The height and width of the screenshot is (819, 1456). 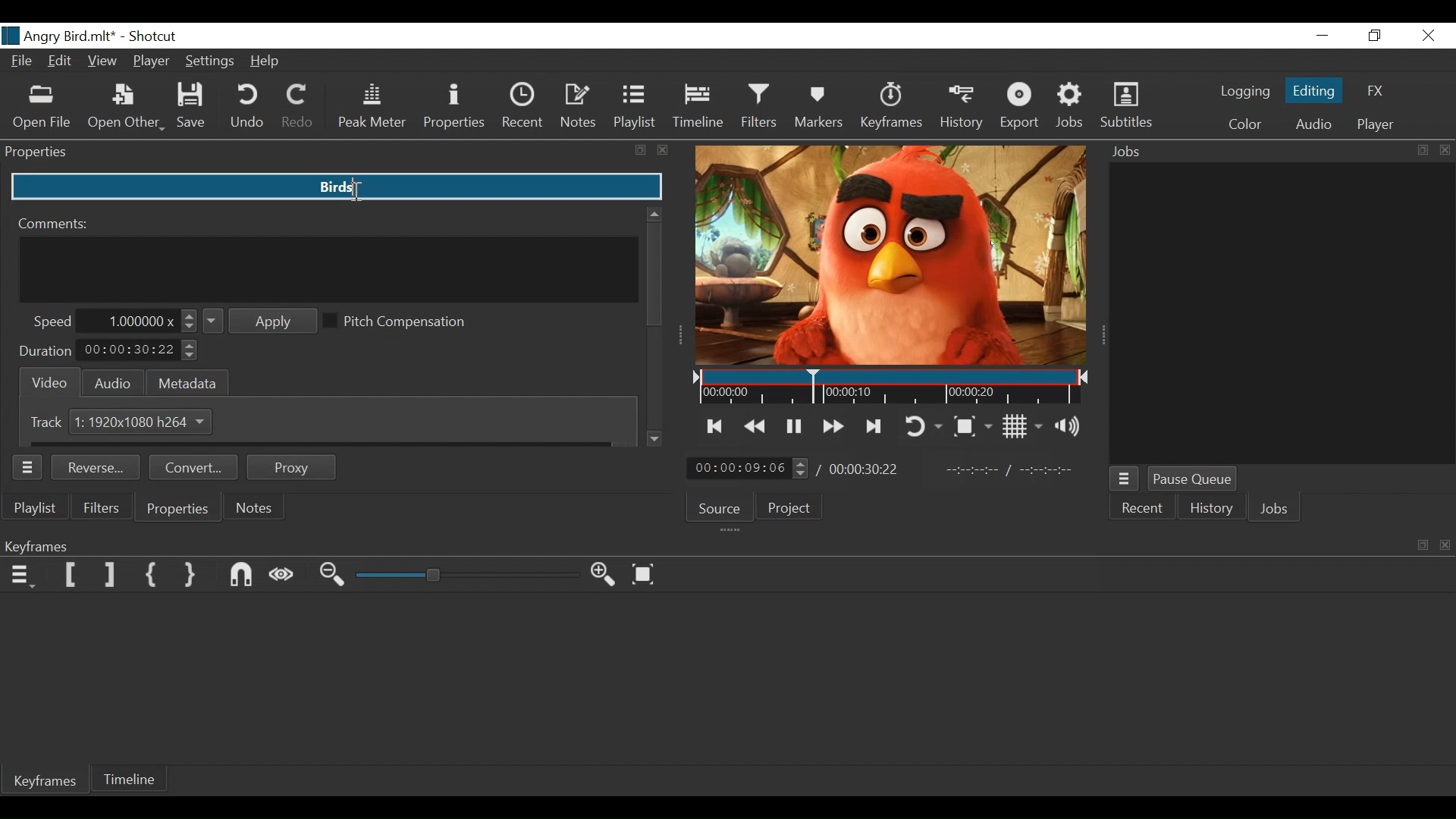 I want to click on Comments, so click(x=55, y=223).